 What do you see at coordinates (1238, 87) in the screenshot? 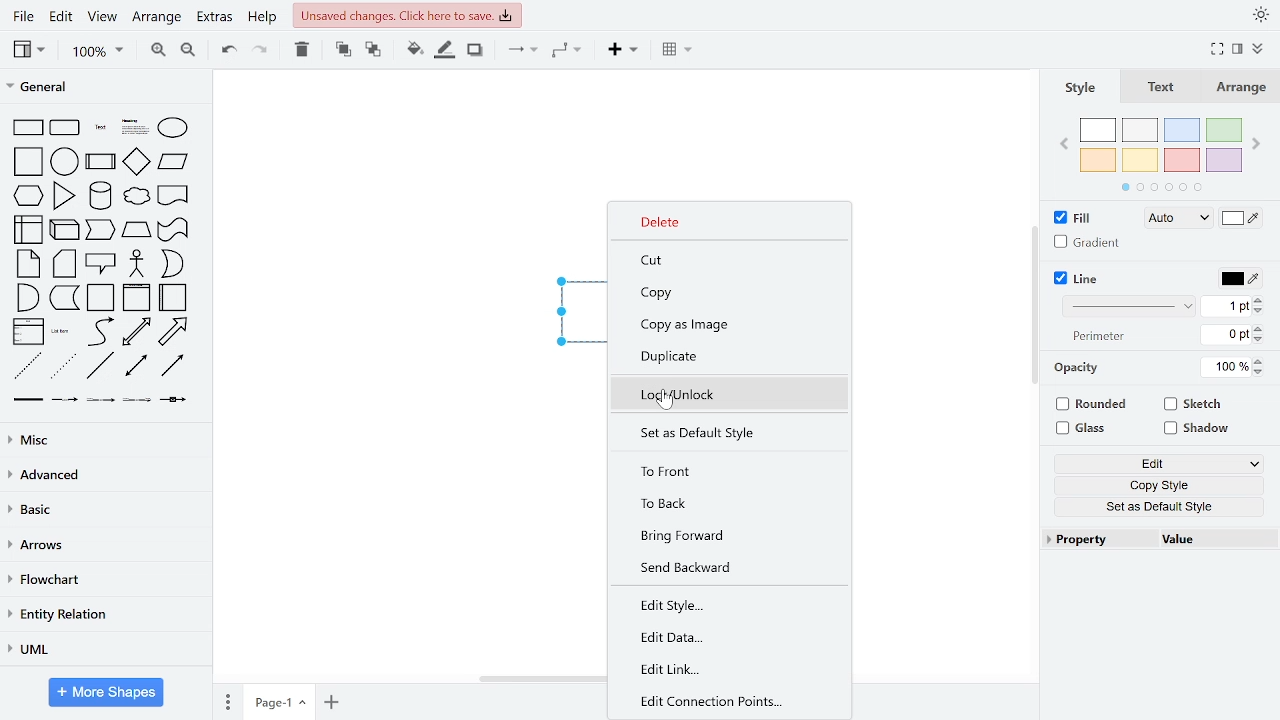
I see `arrange` at bounding box center [1238, 87].